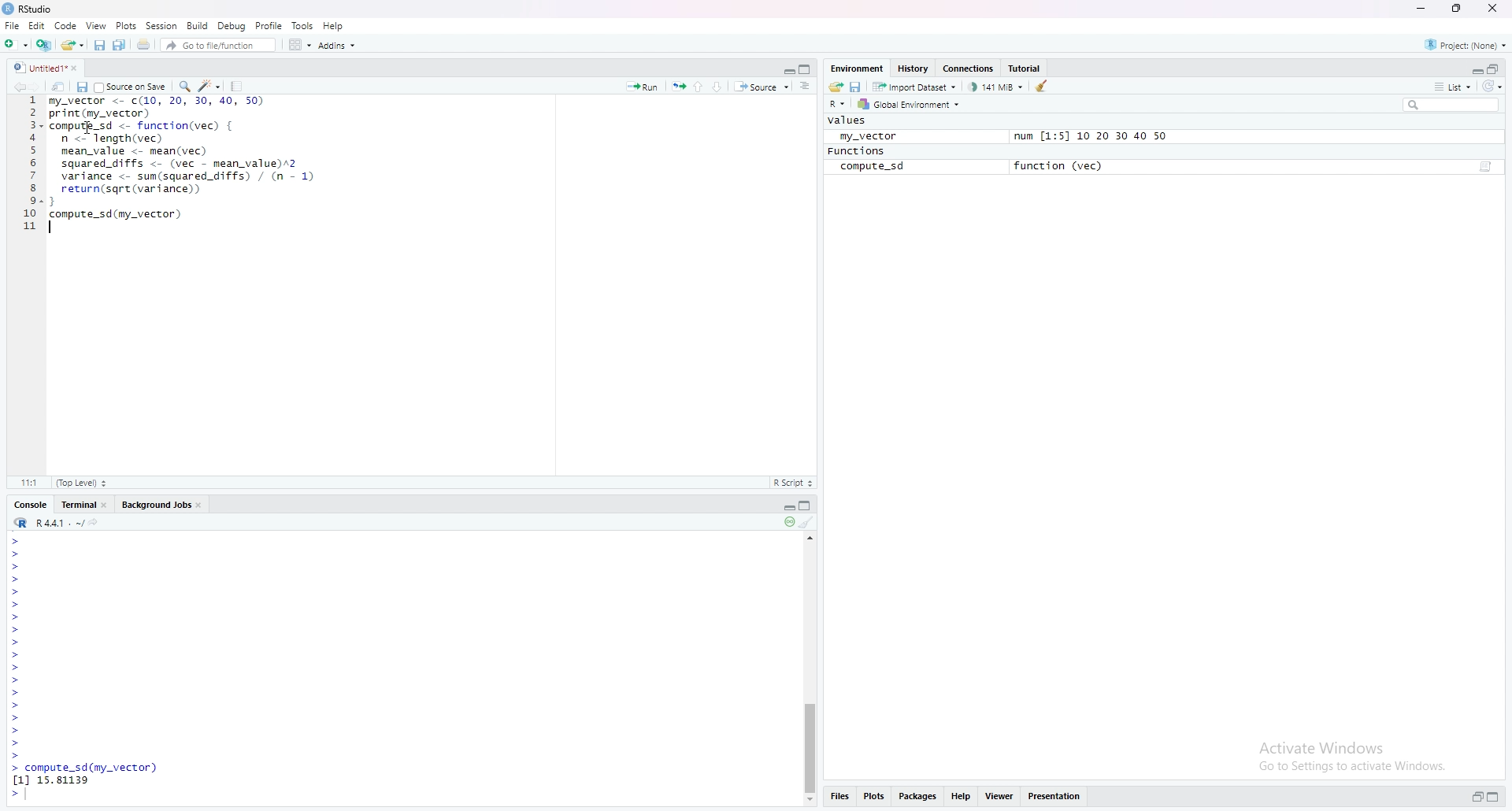  Describe the element at coordinates (915, 86) in the screenshot. I see `Import Dataset` at that location.